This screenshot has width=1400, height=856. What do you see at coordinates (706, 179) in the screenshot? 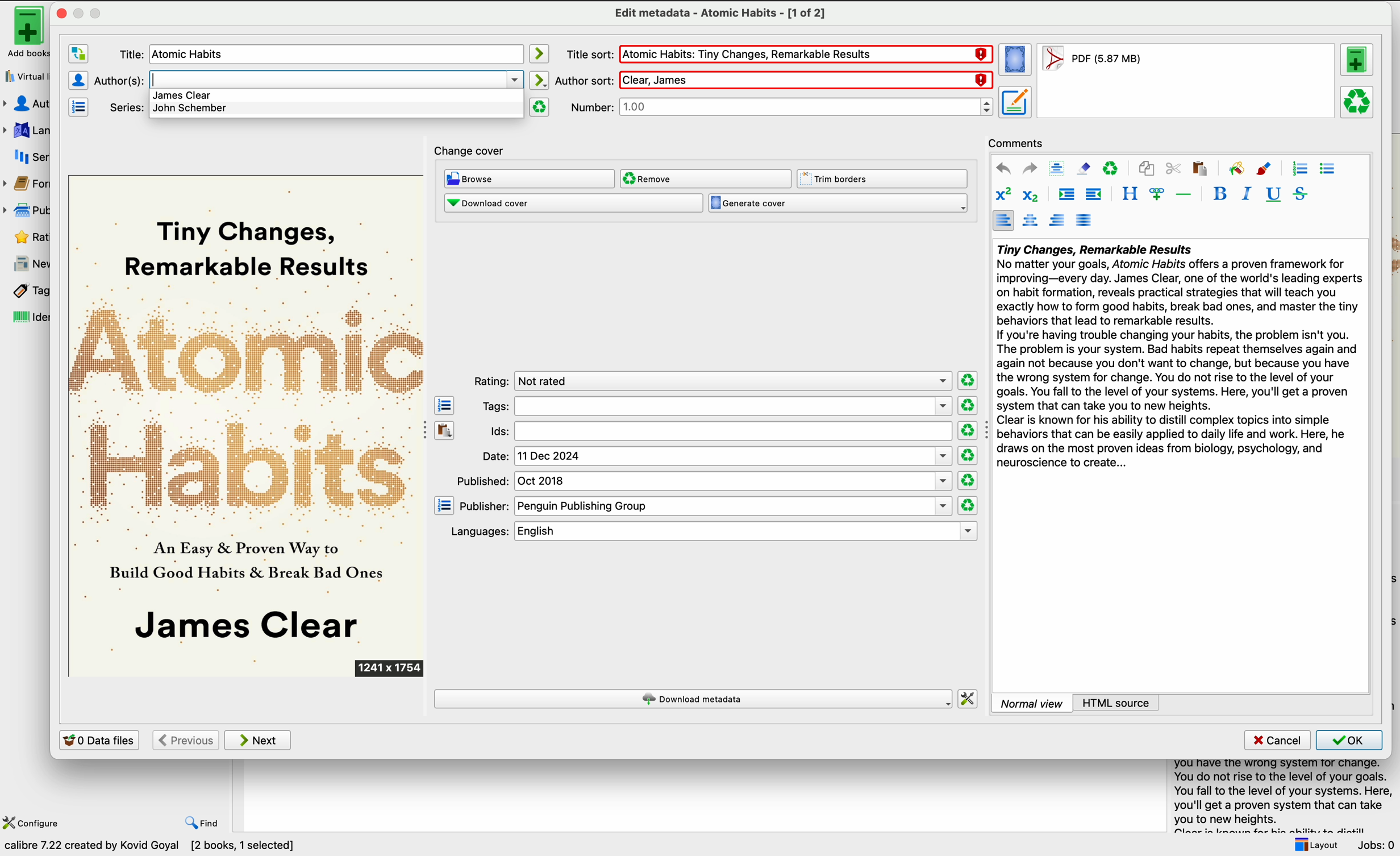
I see `remove` at bounding box center [706, 179].